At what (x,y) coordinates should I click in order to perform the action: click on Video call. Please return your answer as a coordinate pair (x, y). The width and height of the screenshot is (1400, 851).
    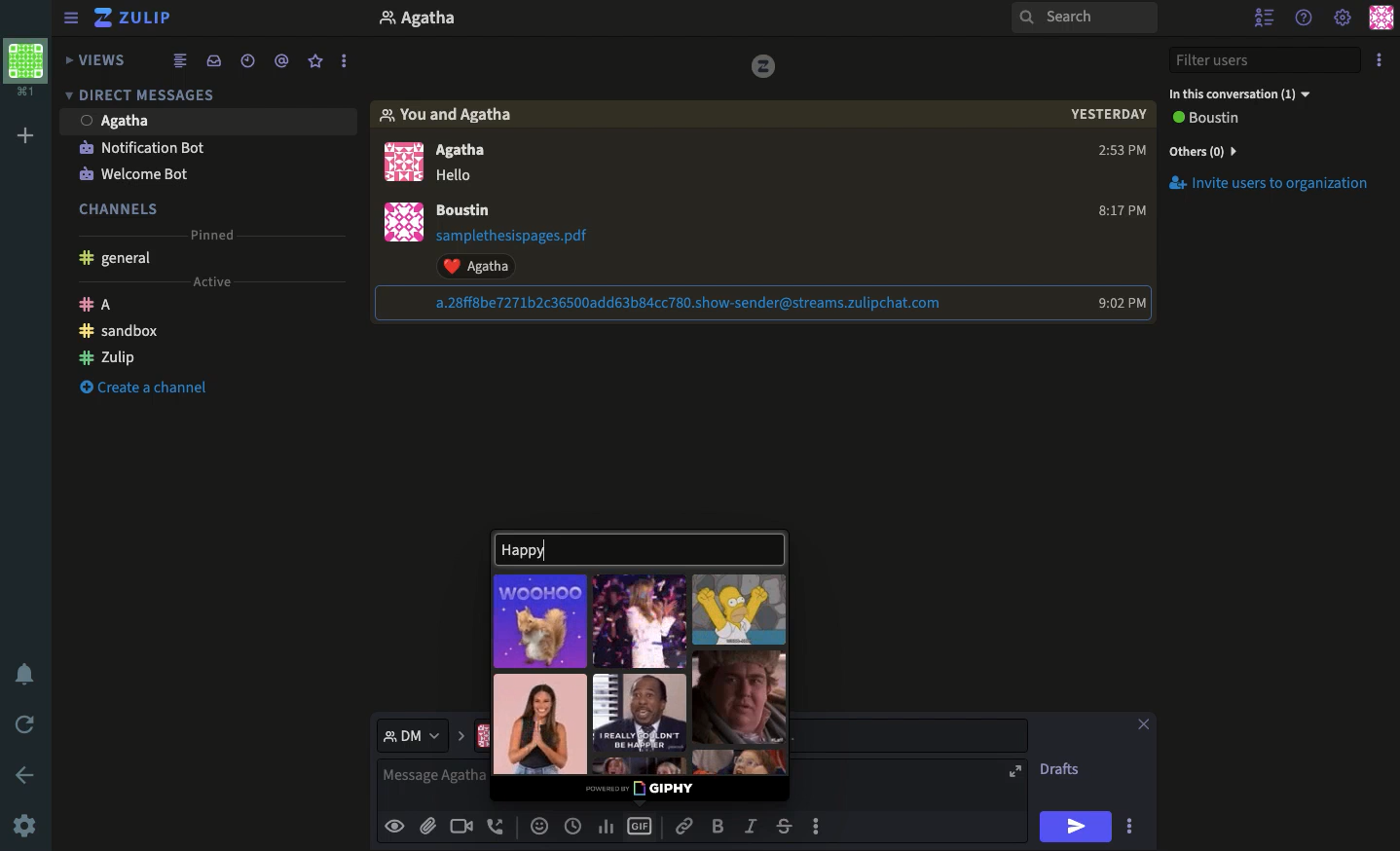
    Looking at the image, I should click on (461, 825).